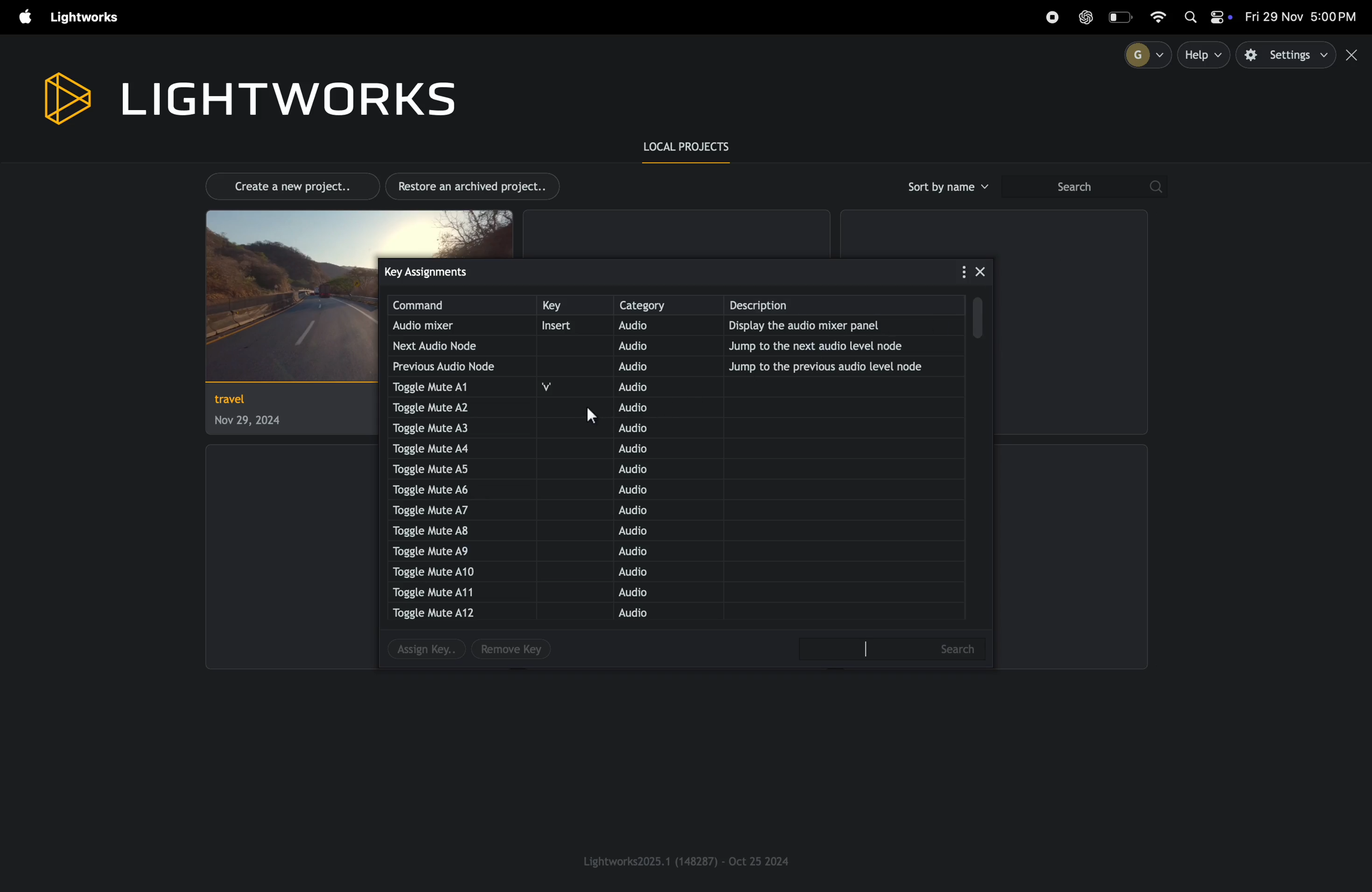 The image size is (1372, 892). Describe the element at coordinates (652, 365) in the screenshot. I see `audio` at that location.